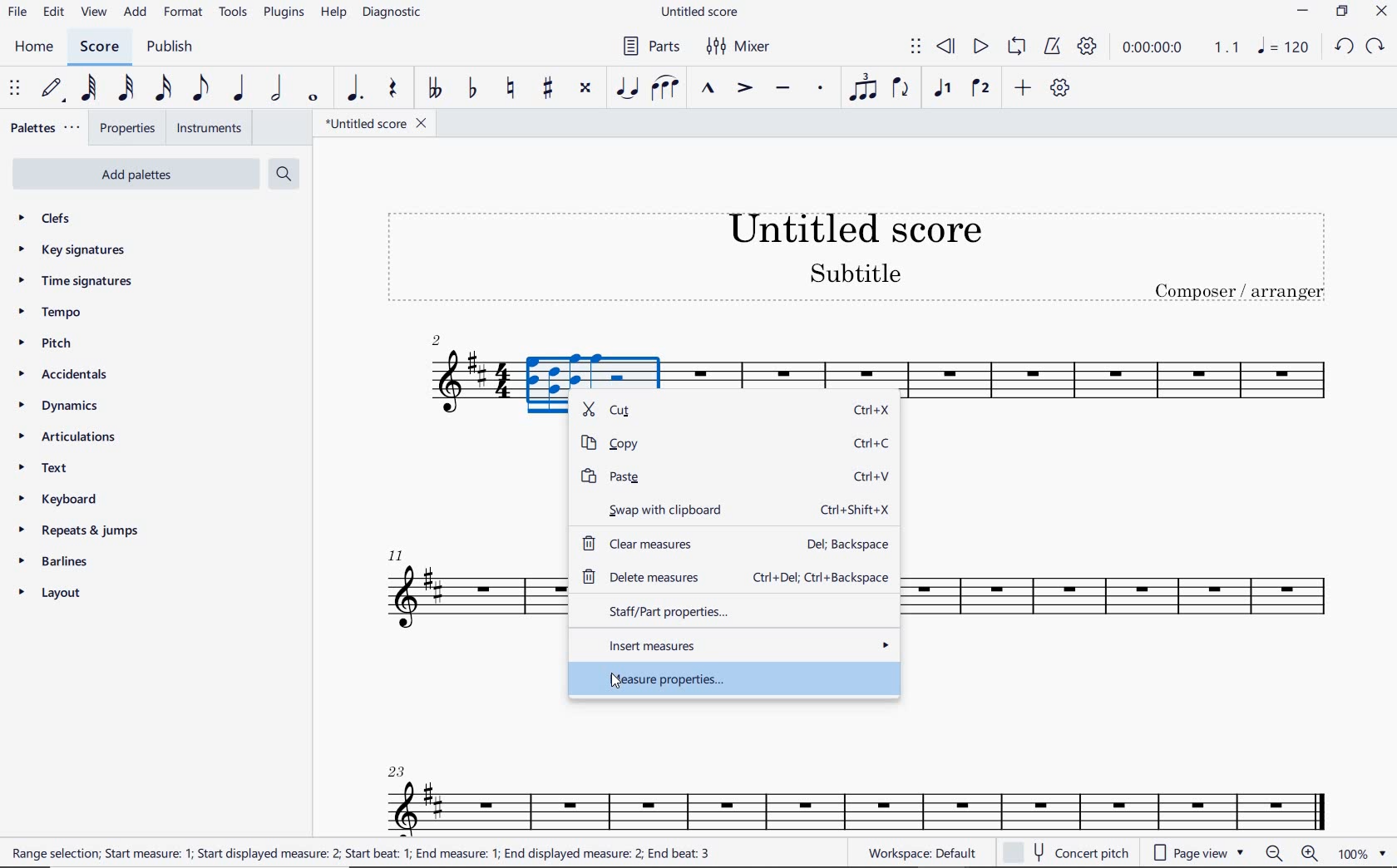 The width and height of the screenshot is (1397, 868). Describe the element at coordinates (820, 89) in the screenshot. I see `STACCATO` at that location.